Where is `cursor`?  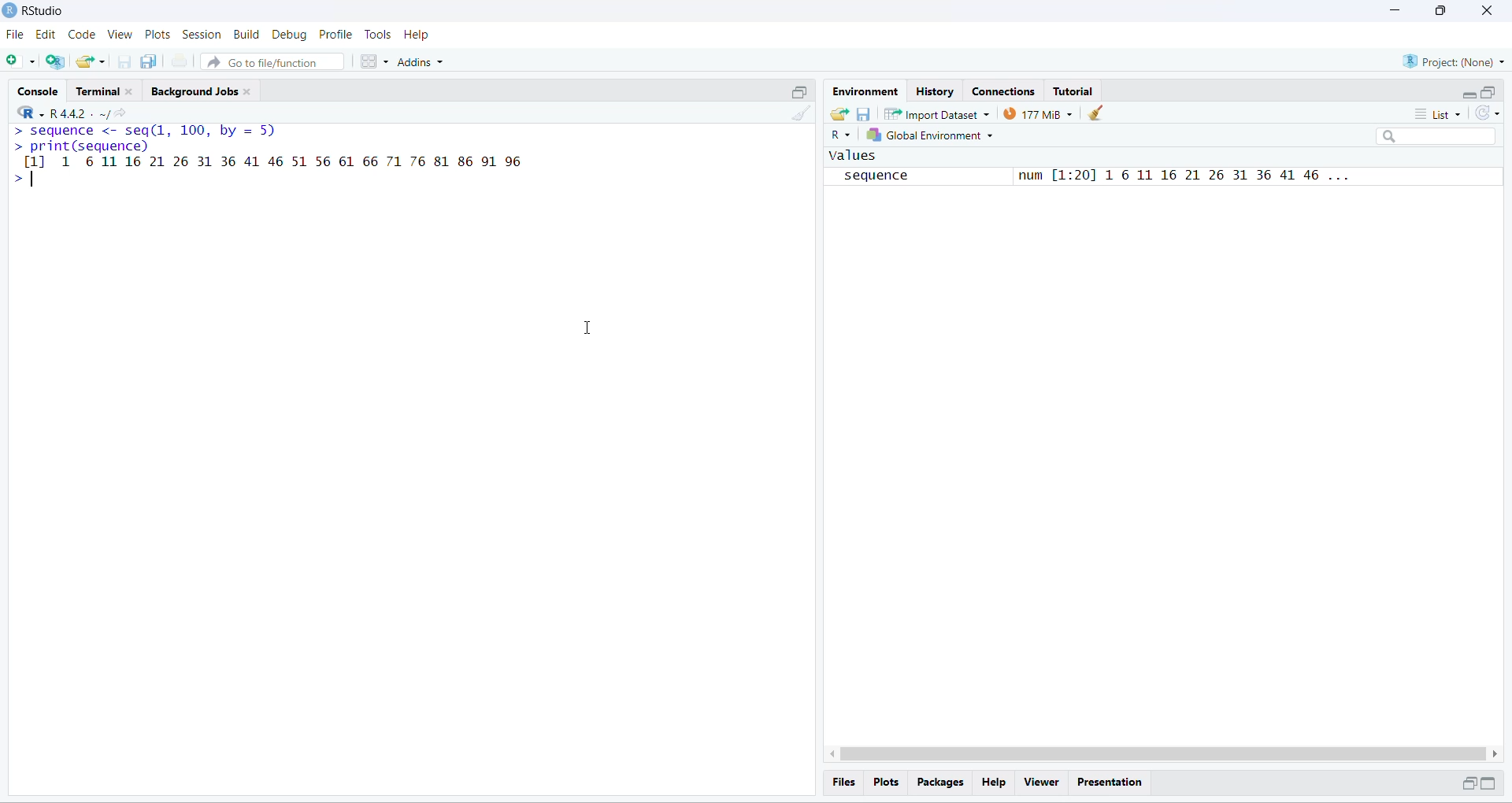
cursor is located at coordinates (585, 328).